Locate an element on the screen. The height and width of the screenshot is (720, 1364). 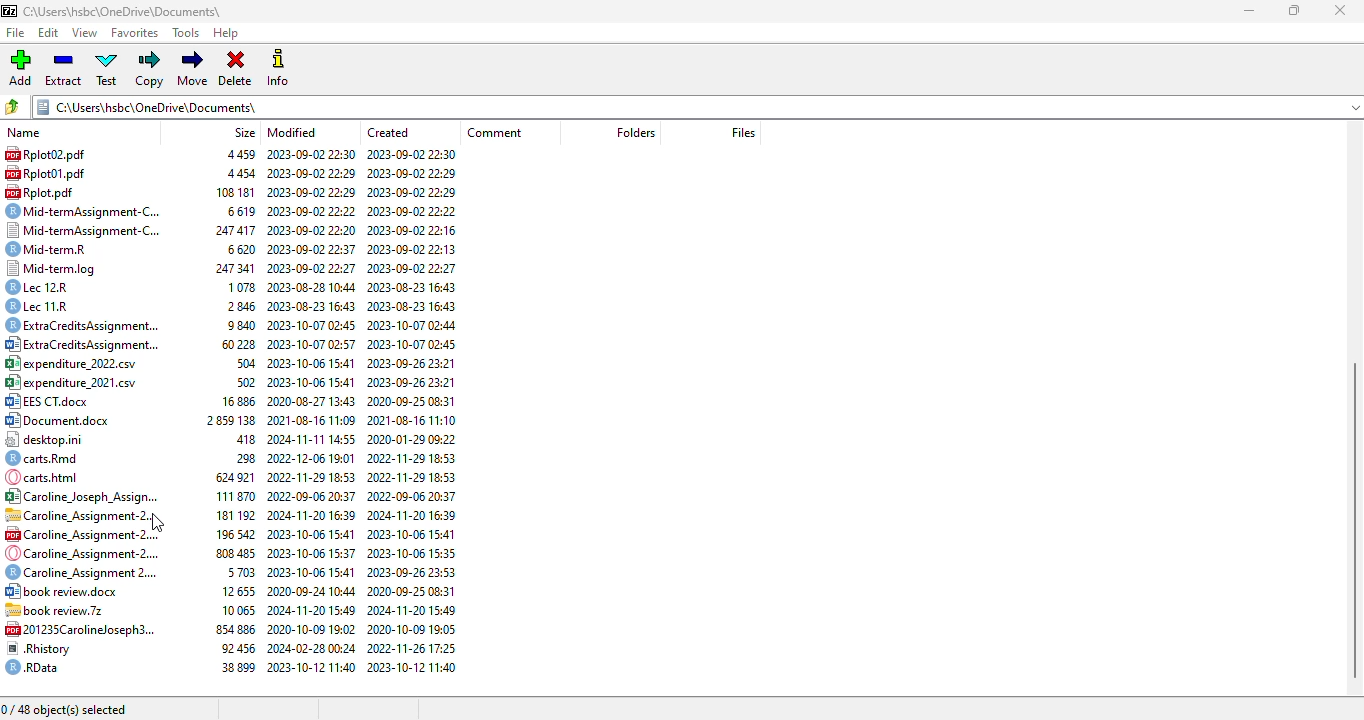
2024-11-20 16:39 is located at coordinates (313, 514).